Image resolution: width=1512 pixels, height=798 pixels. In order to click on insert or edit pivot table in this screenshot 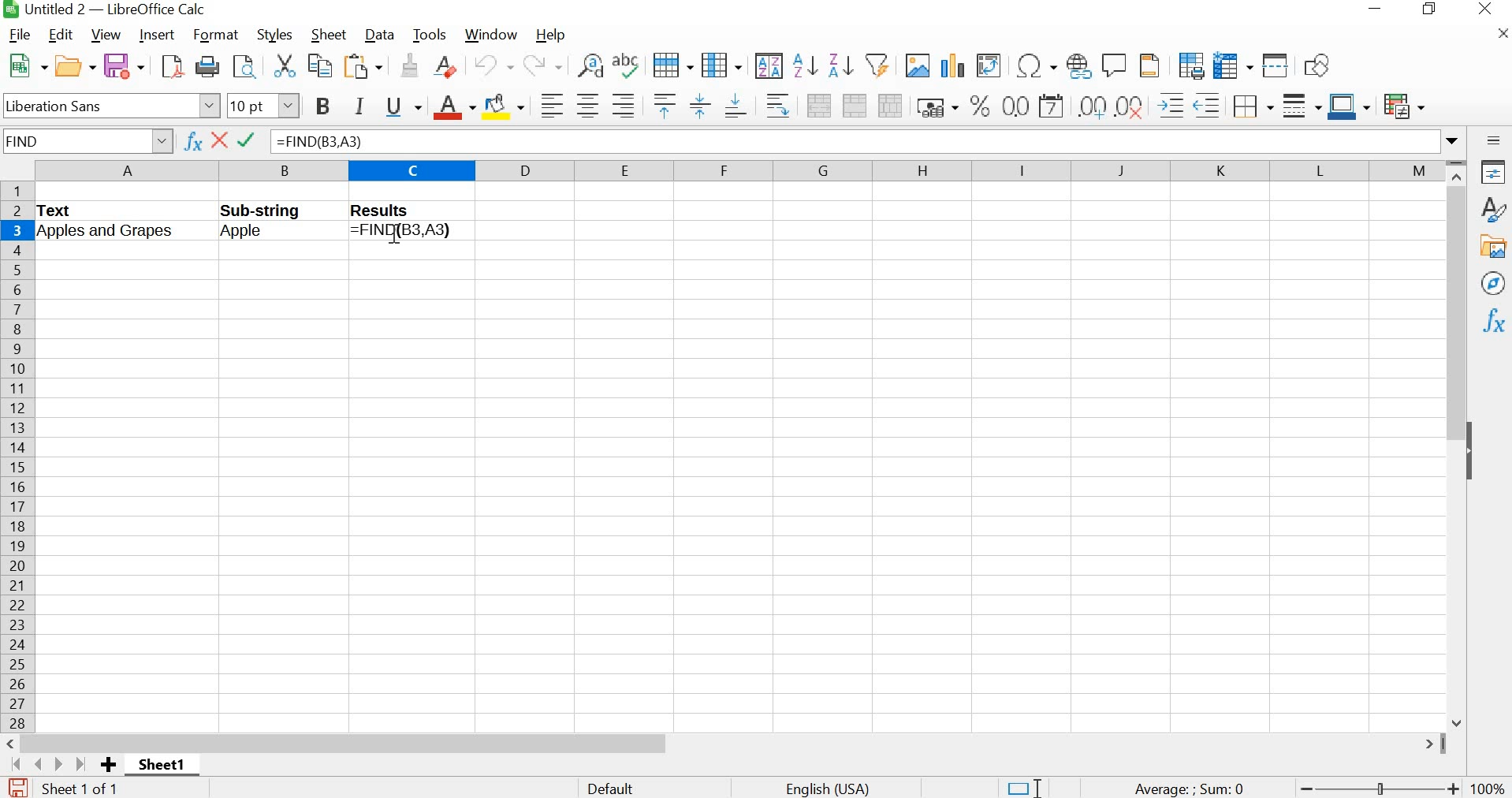, I will do `click(991, 65)`.